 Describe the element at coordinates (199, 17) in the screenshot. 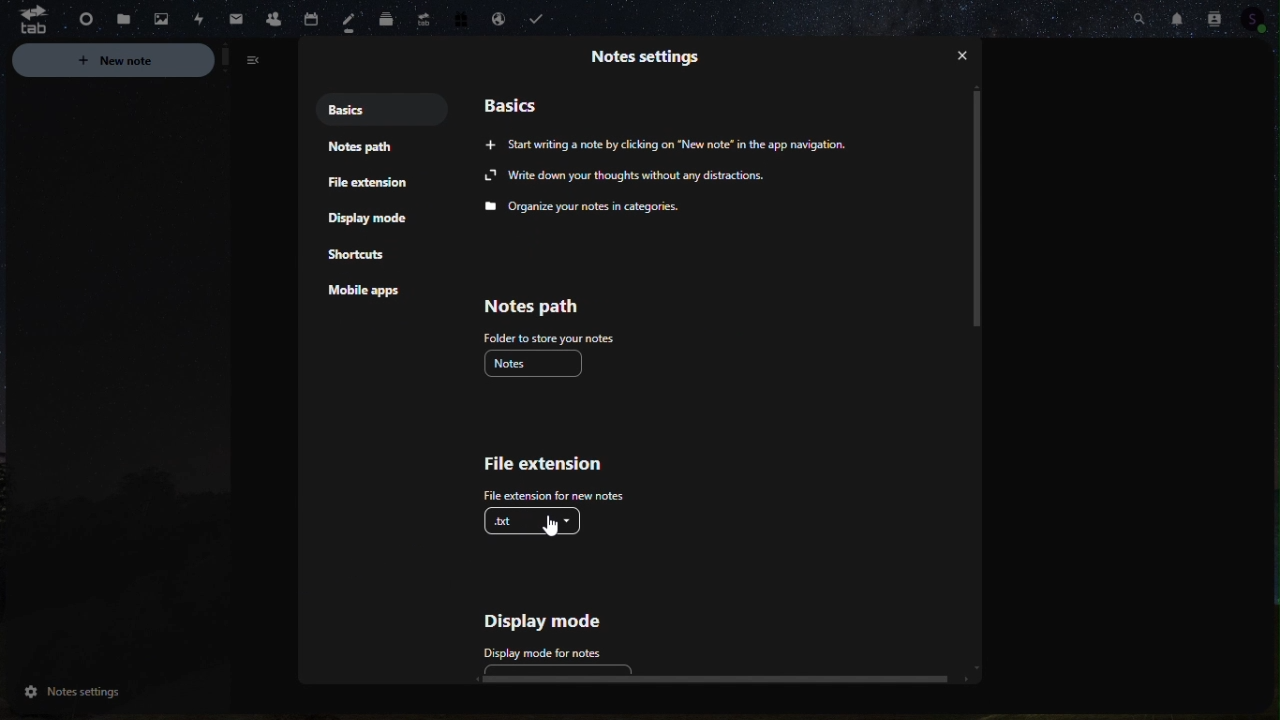

I see `Activity` at that location.